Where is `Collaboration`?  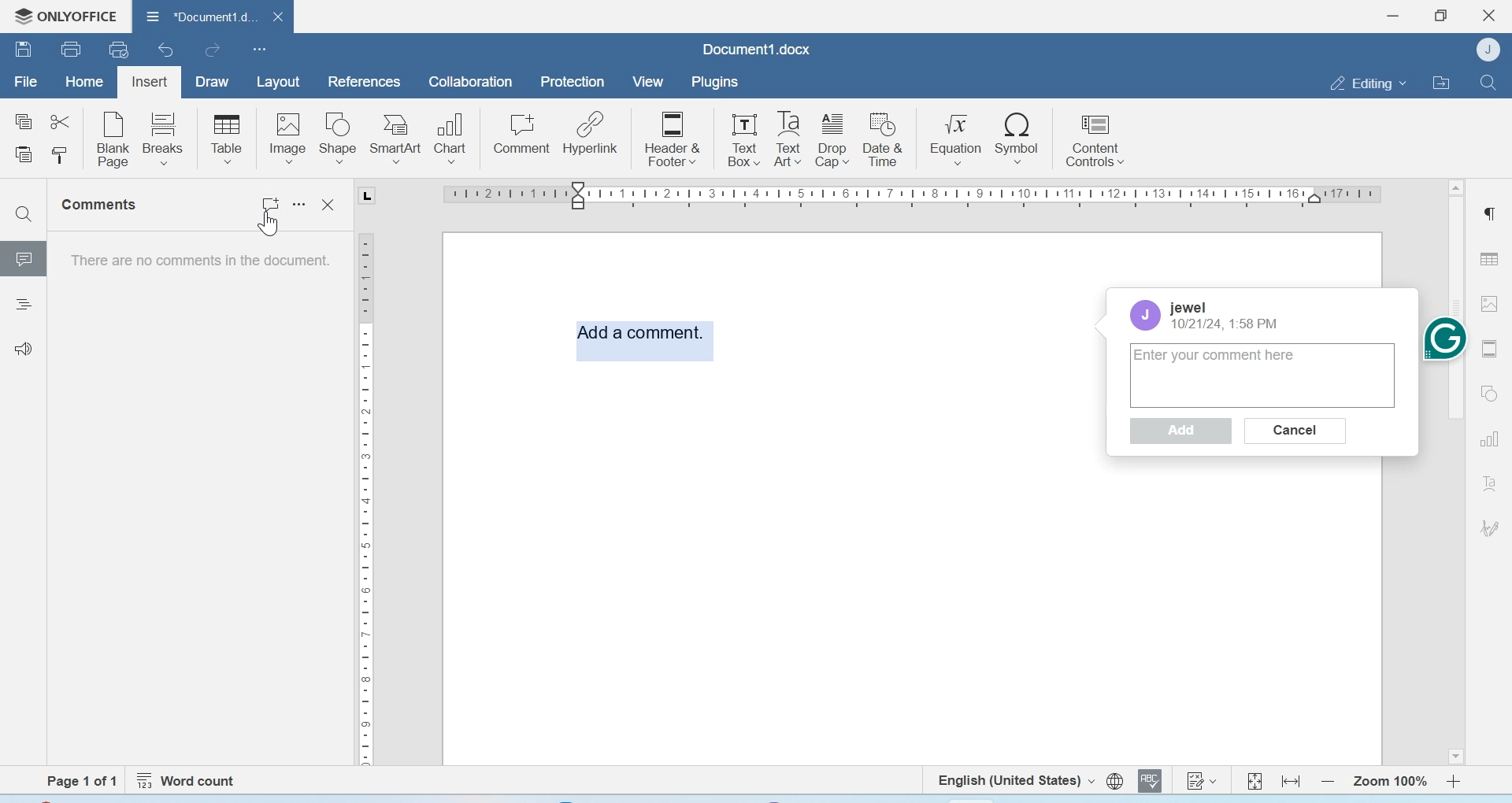 Collaboration is located at coordinates (471, 82).